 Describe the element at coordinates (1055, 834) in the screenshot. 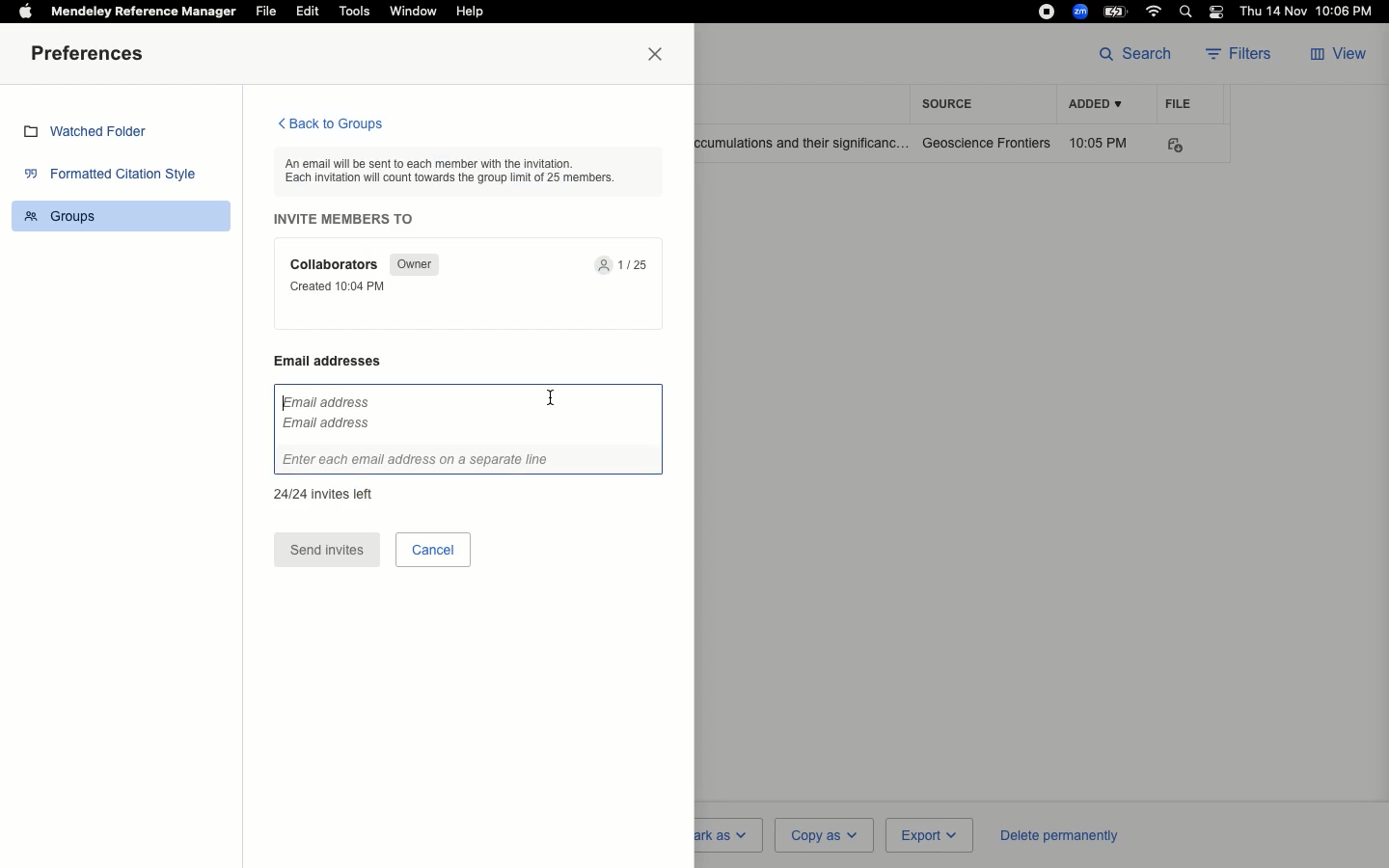

I see `Delete permanently` at that location.